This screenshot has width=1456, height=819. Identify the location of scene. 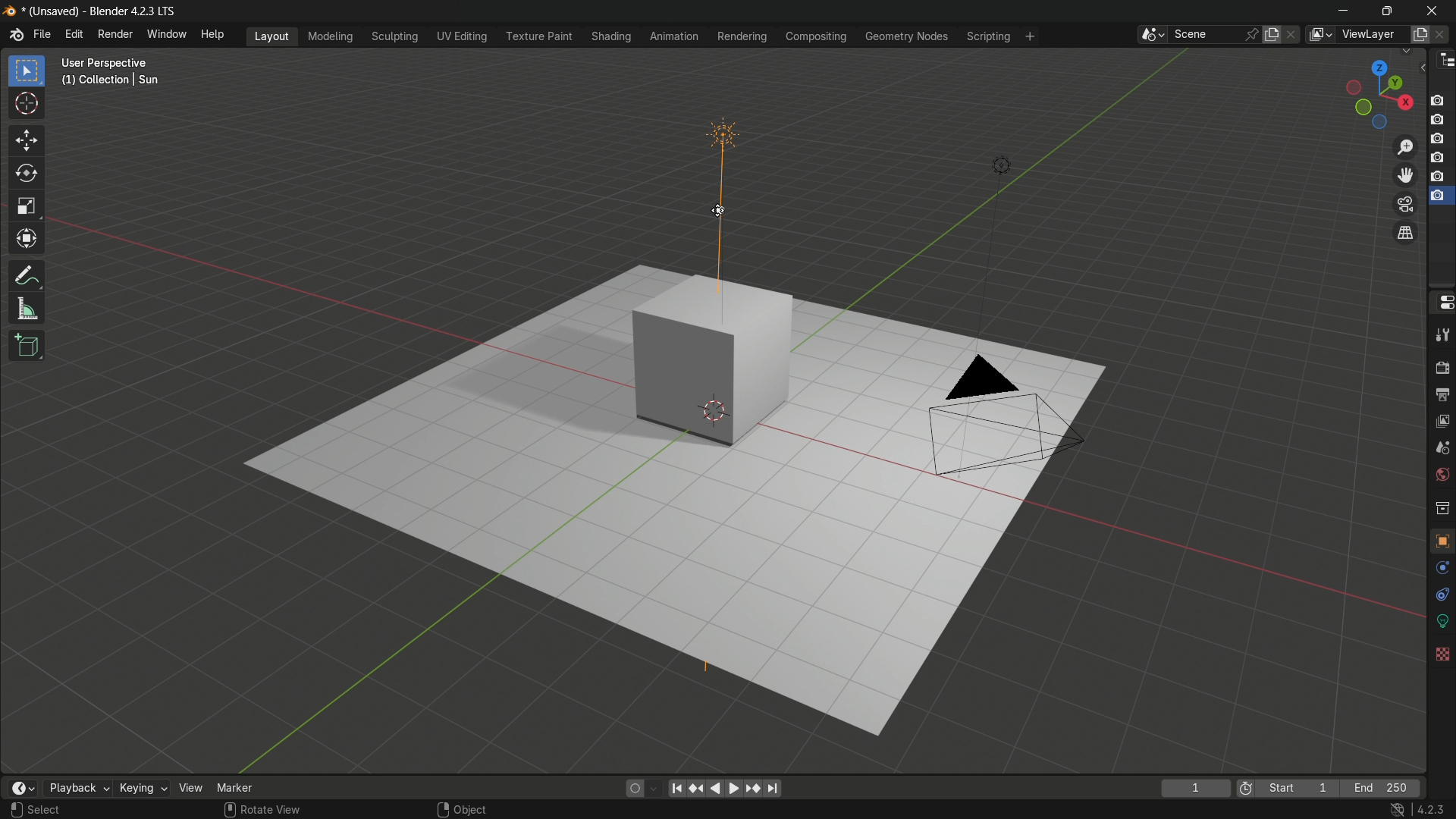
(1444, 447).